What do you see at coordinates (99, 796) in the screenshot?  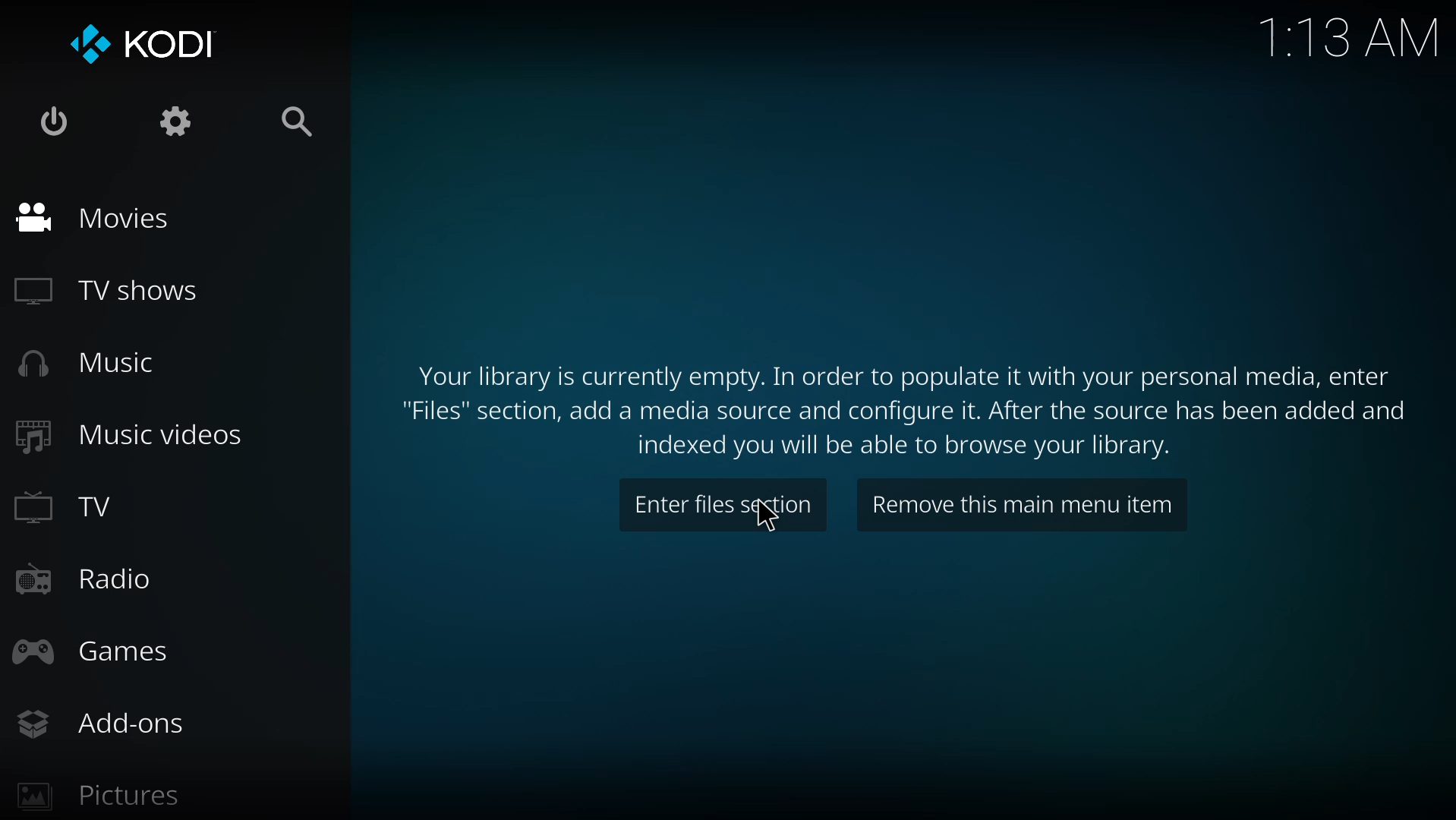 I see `pictures` at bounding box center [99, 796].